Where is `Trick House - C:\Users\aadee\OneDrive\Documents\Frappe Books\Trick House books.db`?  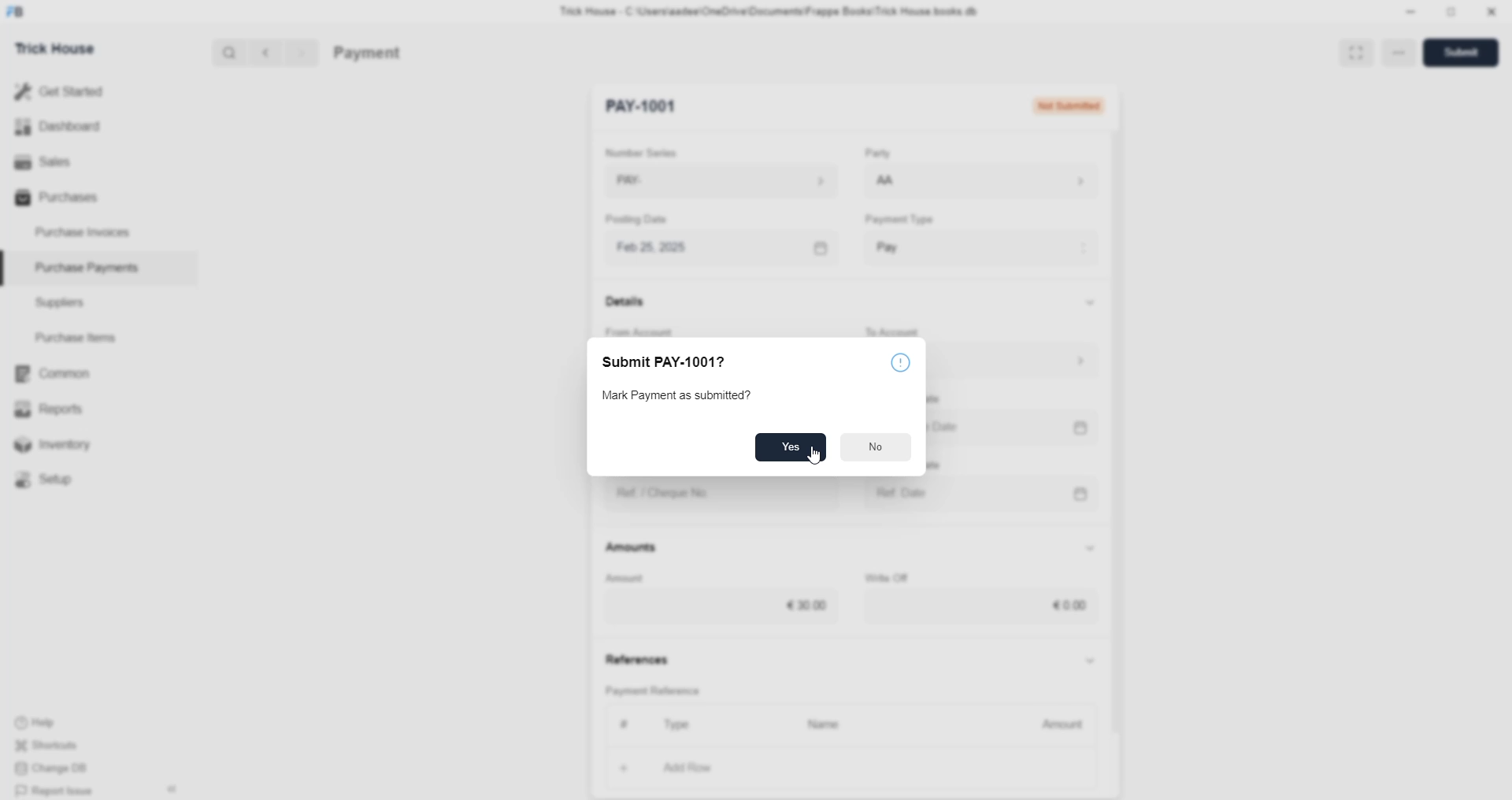
Trick House - C:\Users\aadee\OneDrive\Documents\Frappe Books\Trick House books.db is located at coordinates (772, 12).